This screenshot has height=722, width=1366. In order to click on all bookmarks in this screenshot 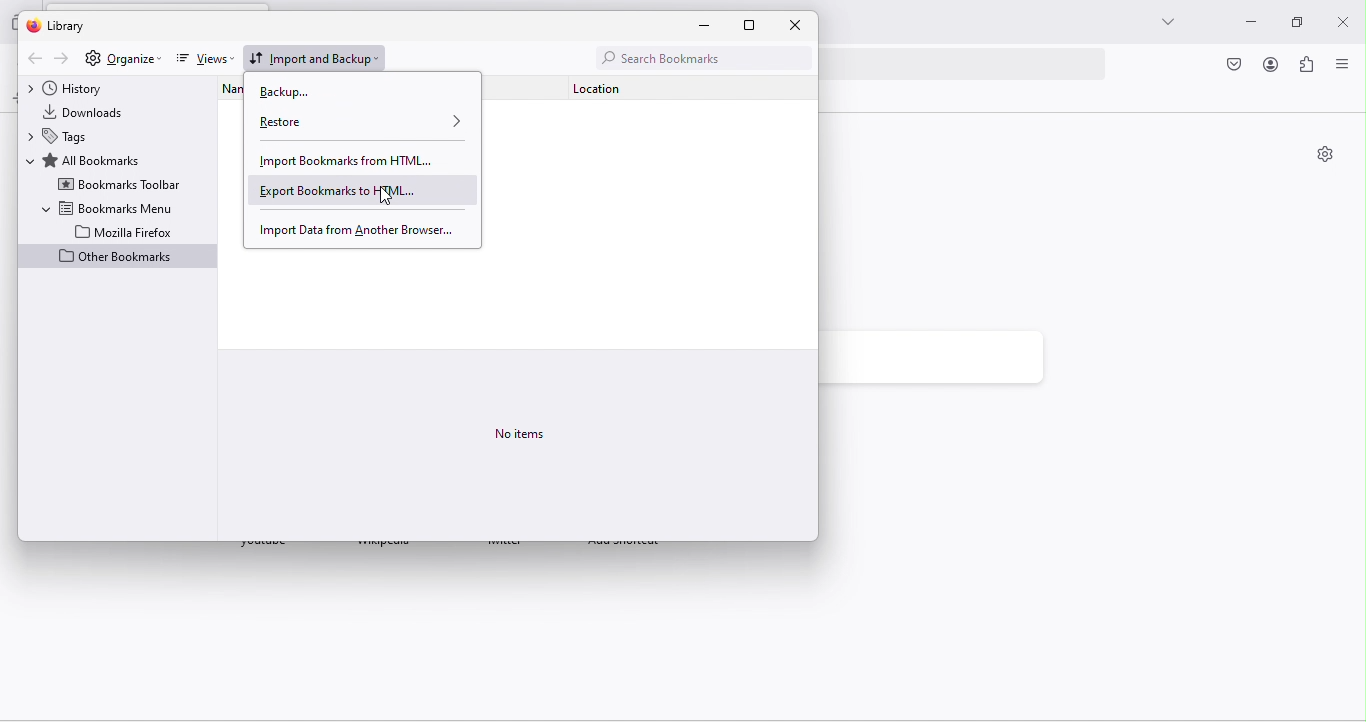, I will do `click(92, 160)`.